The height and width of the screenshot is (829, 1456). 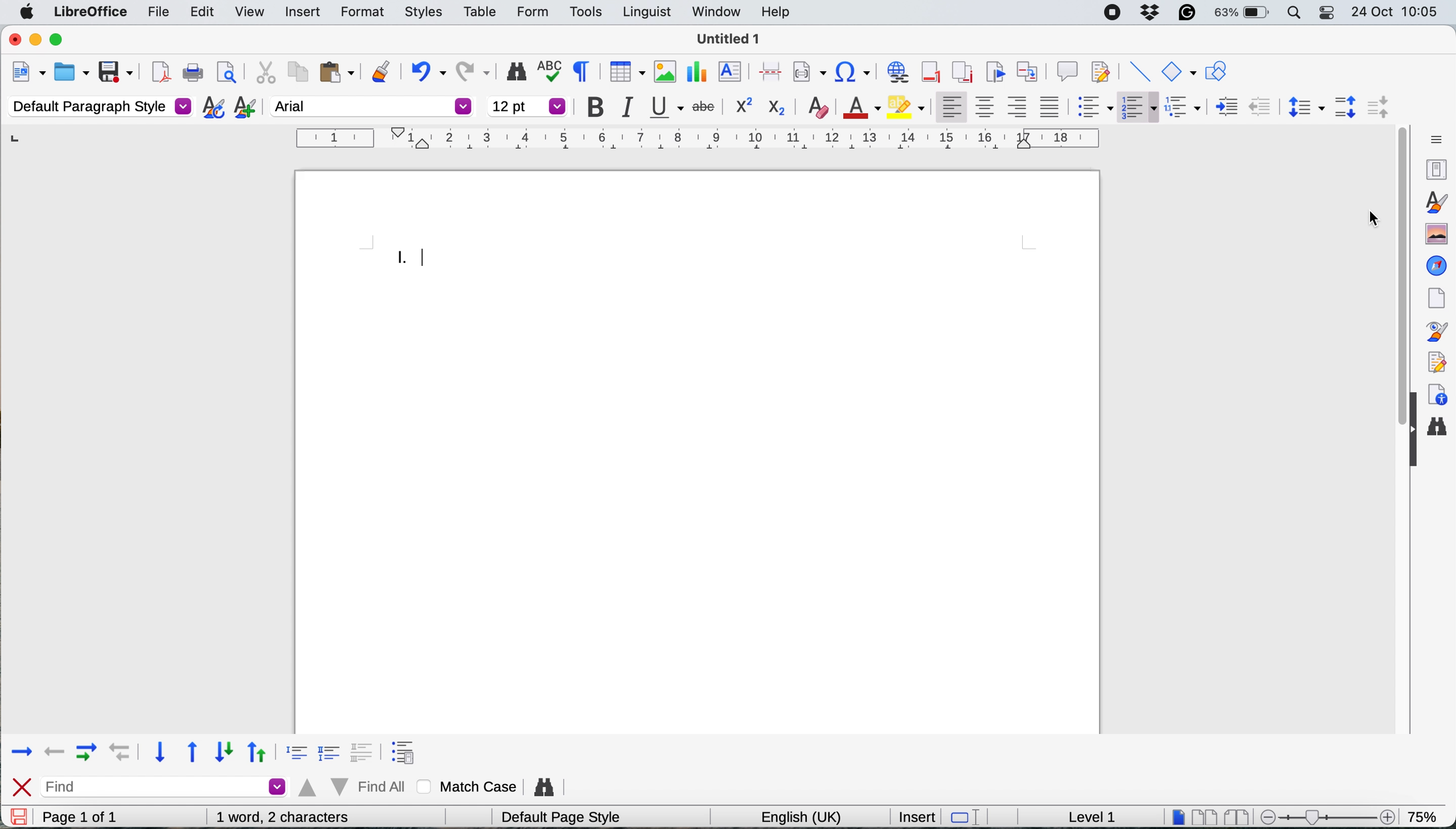 What do you see at coordinates (297, 816) in the screenshot?
I see `0 words, 0 characters` at bounding box center [297, 816].